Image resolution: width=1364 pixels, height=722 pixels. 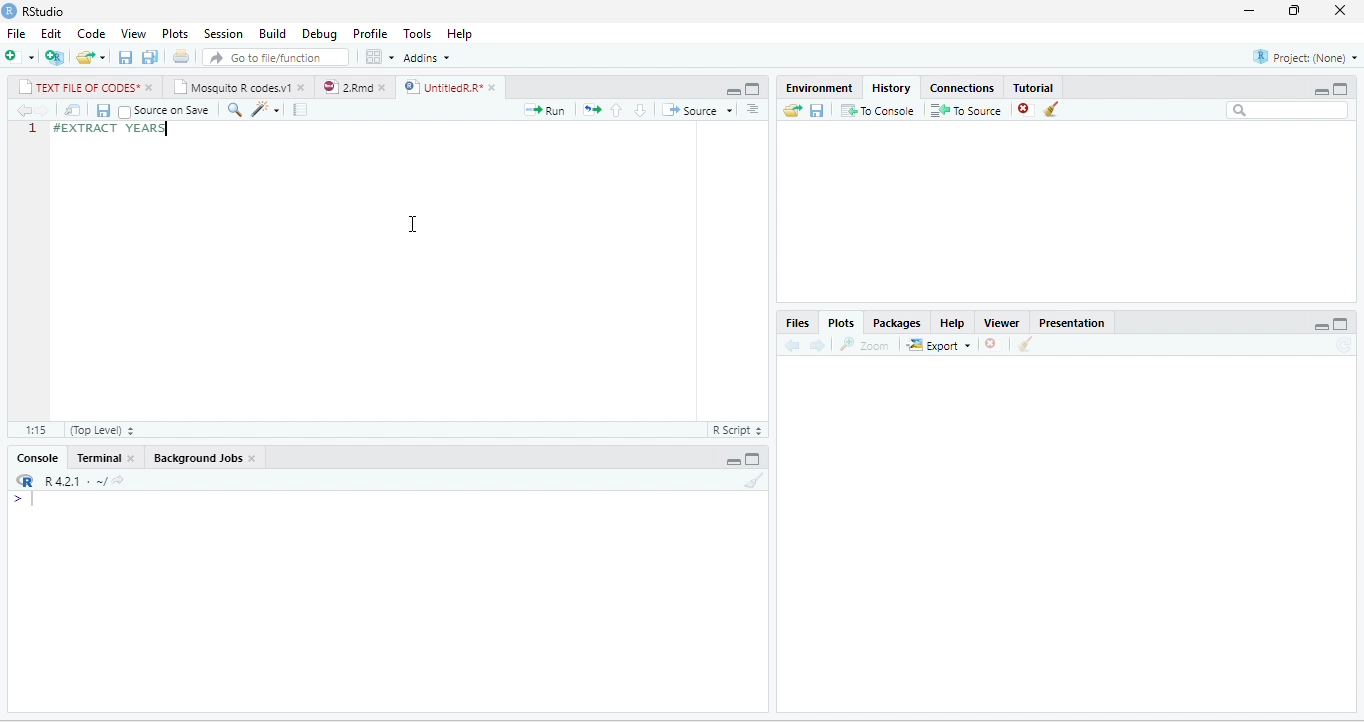 I want to click on save, so click(x=817, y=110).